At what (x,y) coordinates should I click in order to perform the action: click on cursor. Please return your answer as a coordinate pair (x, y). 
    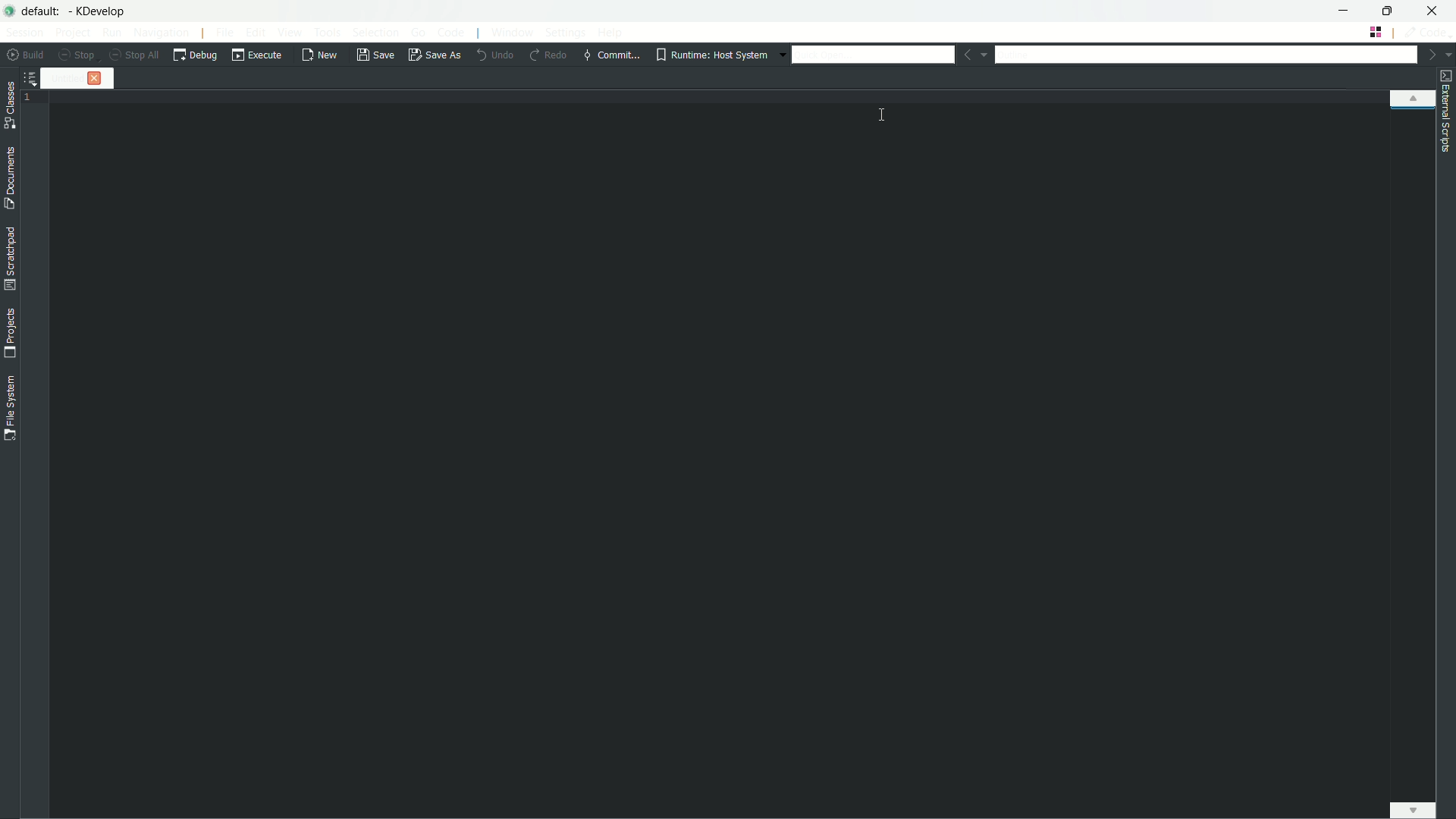
    Looking at the image, I should click on (883, 109).